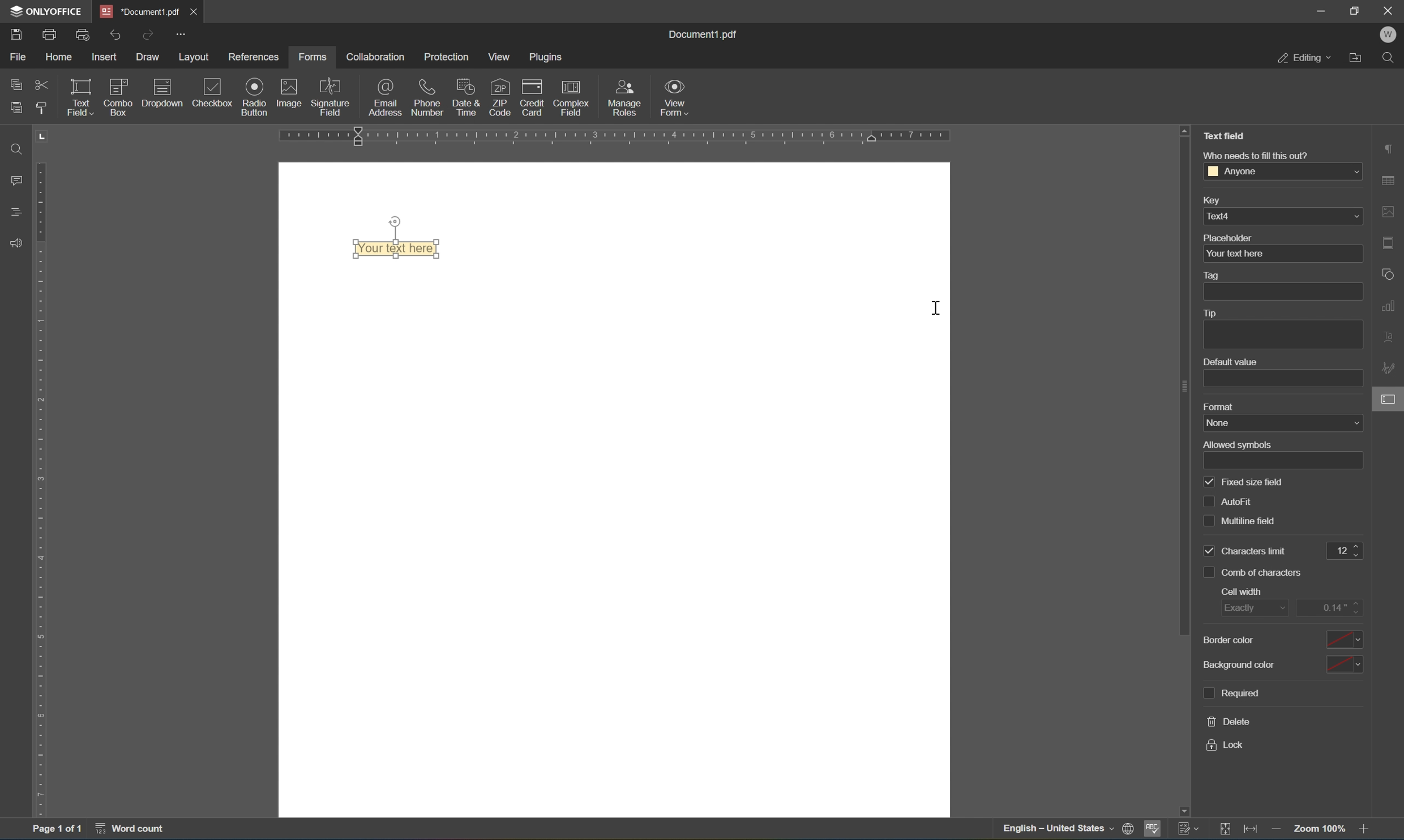 This screenshot has height=840, width=1404. Describe the element at coordinates (136, 10) in the screenshot. I see `document1.pdf` at that location.